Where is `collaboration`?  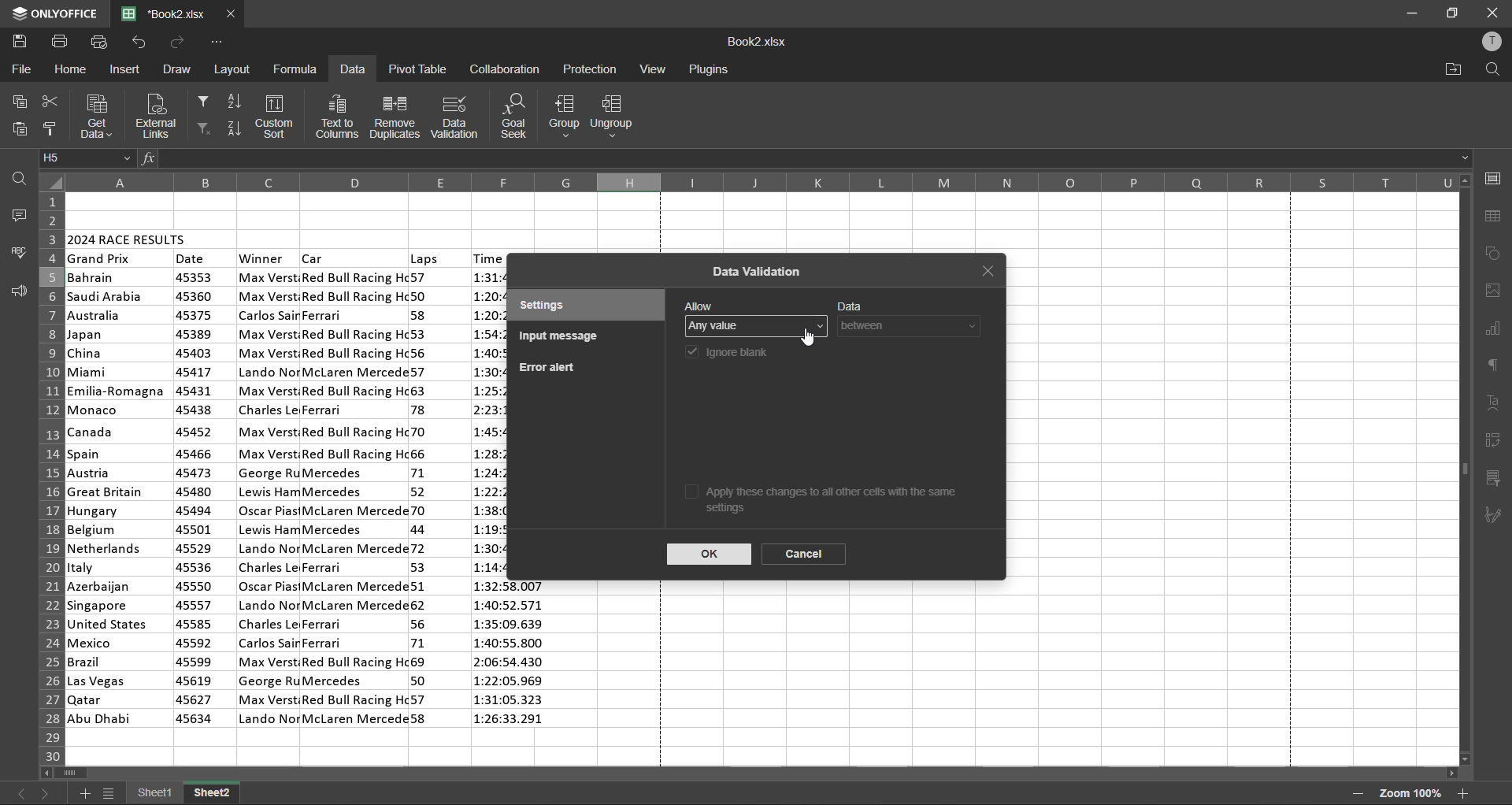 collaboration is located at coordinates (504, 69).